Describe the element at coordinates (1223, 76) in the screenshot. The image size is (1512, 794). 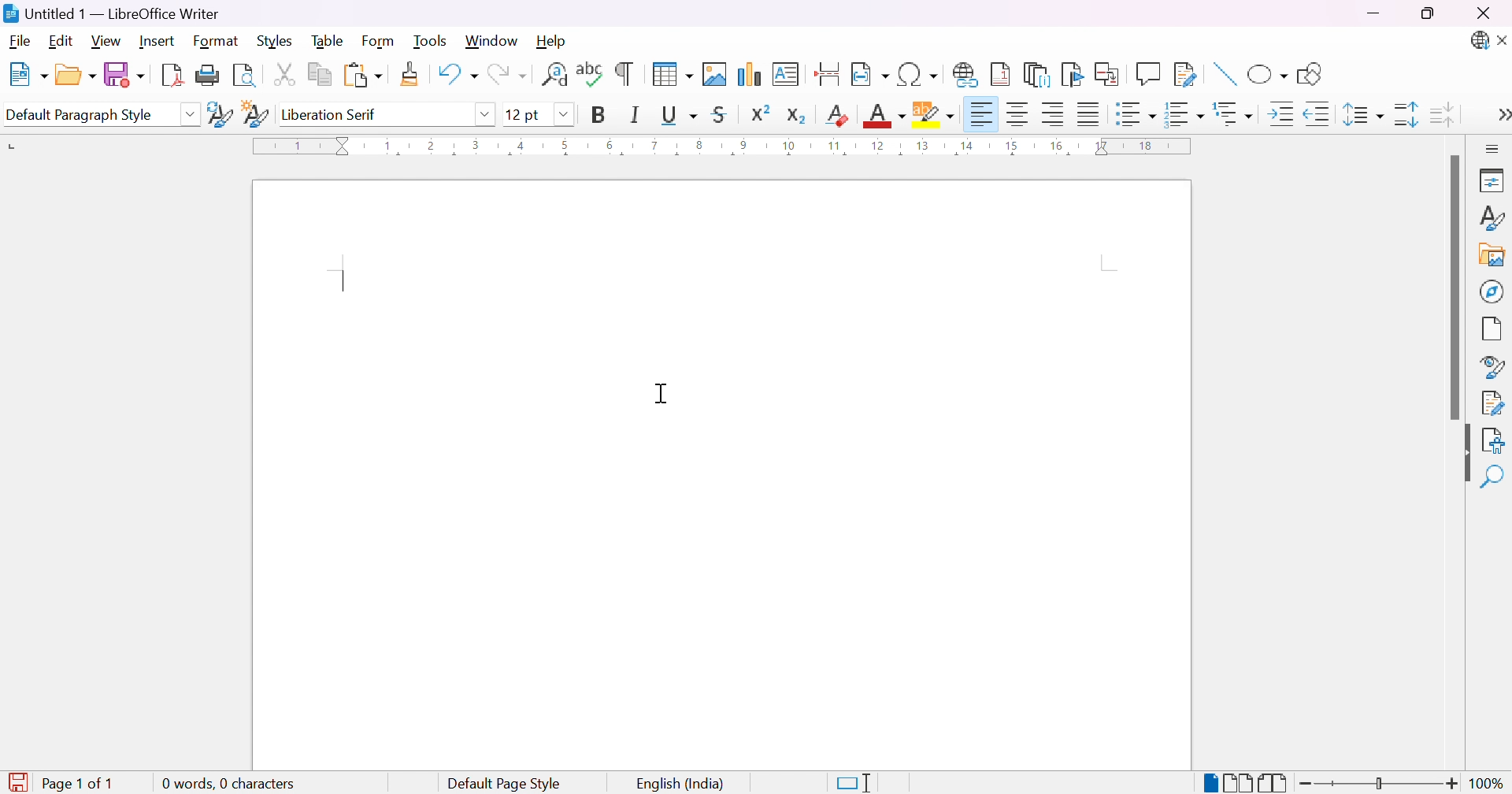
I see `Insert line` at that location.